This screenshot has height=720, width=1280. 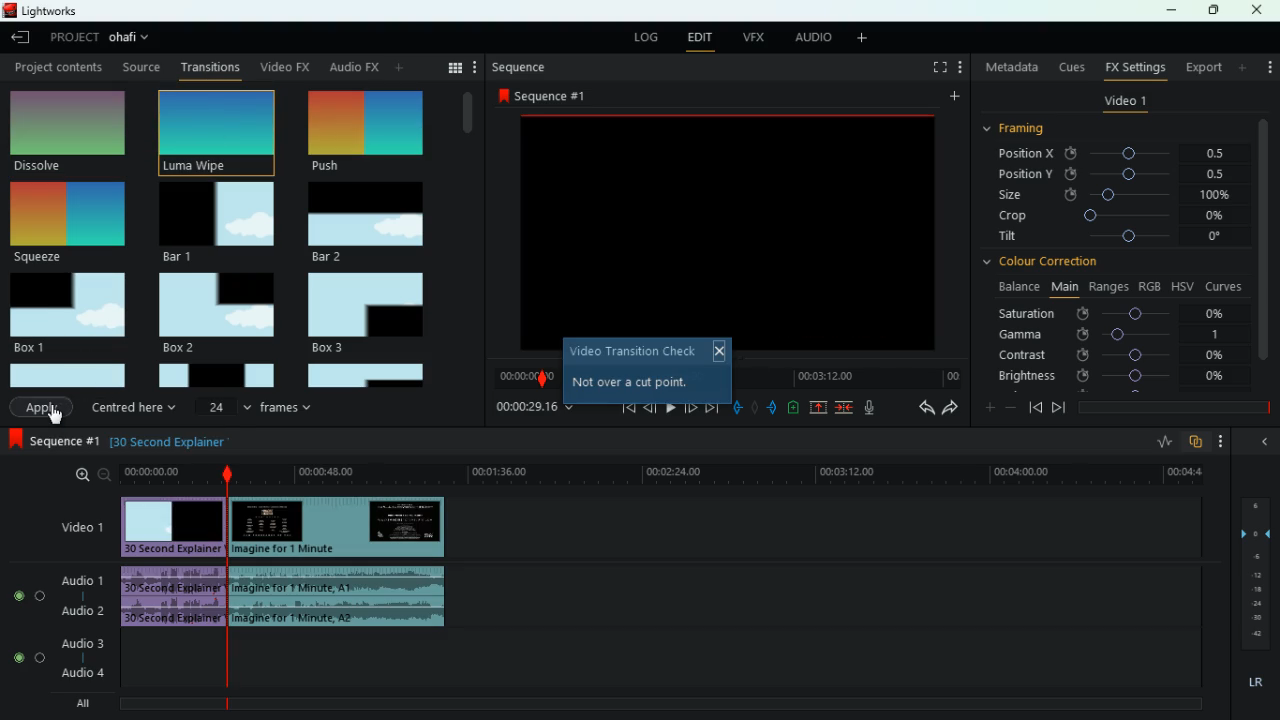 What do you see at coordinates (632, 350) in the screenshot?
I see `video transition check` at bounding box center [632, 350].